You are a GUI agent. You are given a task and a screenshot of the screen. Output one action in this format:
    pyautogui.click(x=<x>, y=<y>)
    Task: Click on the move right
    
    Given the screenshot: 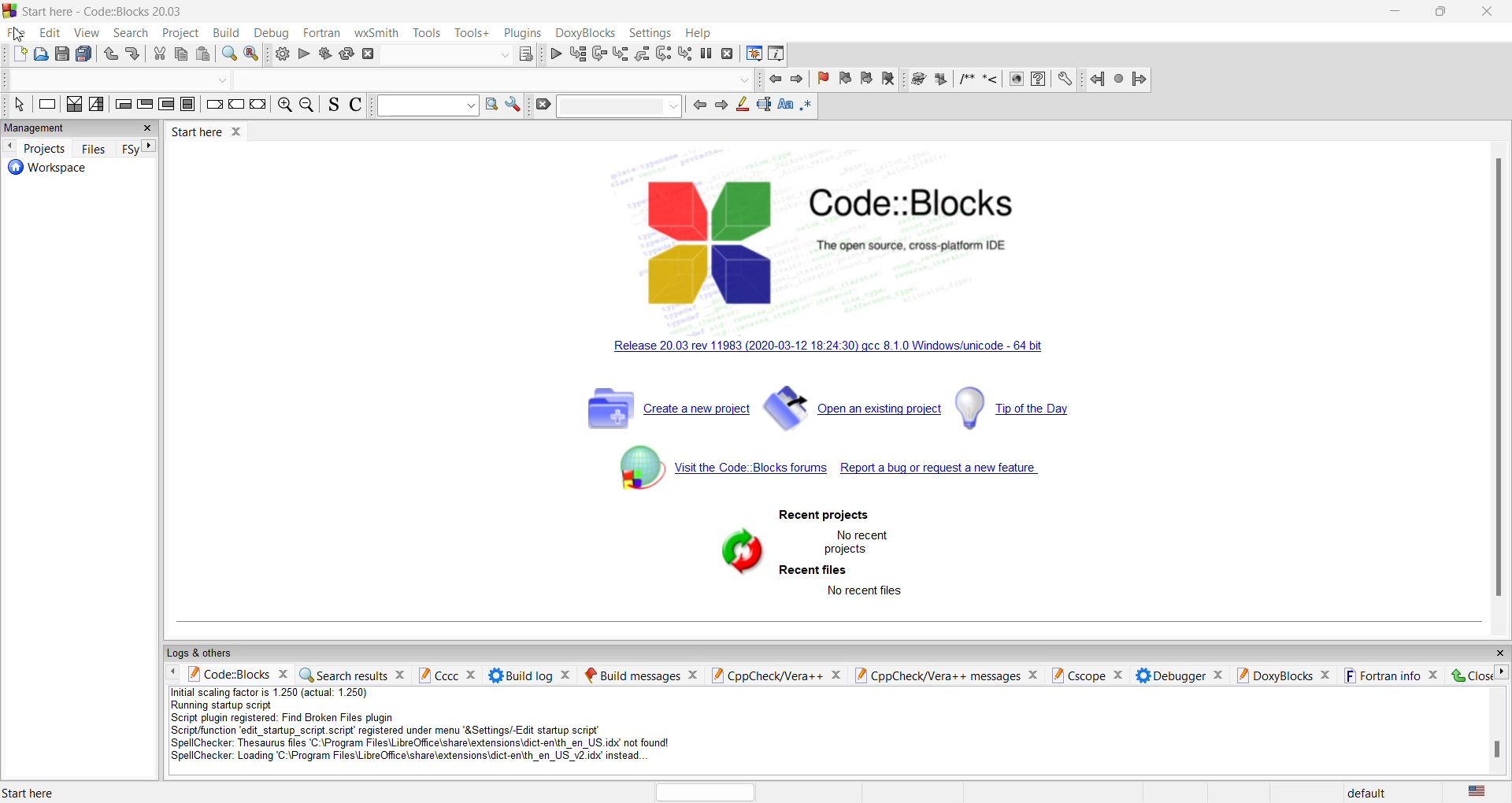 What is the action you would take?
    pyautogui.click(x=1503, y=672)
    